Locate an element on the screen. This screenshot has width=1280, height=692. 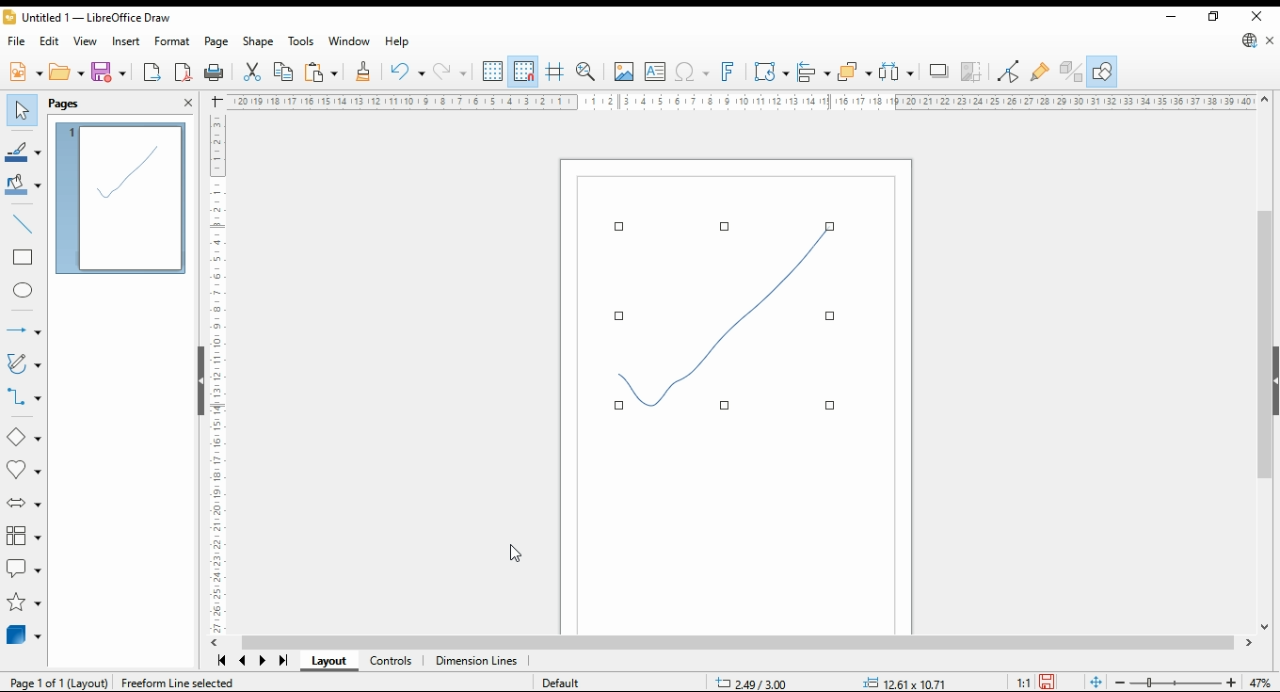
scroll bar is located at coordinates (741, 643).